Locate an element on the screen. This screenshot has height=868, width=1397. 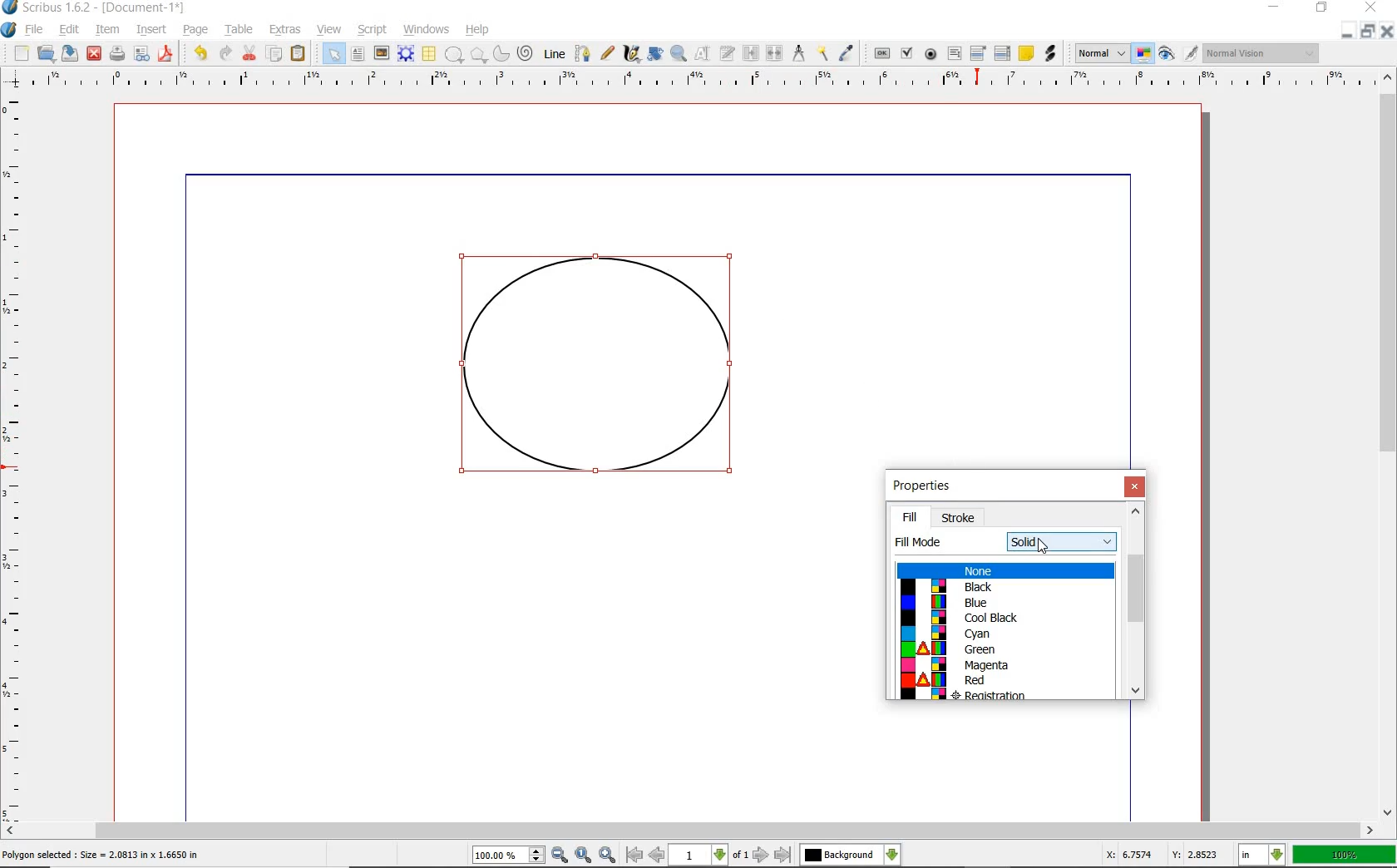
CLOSE is located at coordinates (1387, 32).